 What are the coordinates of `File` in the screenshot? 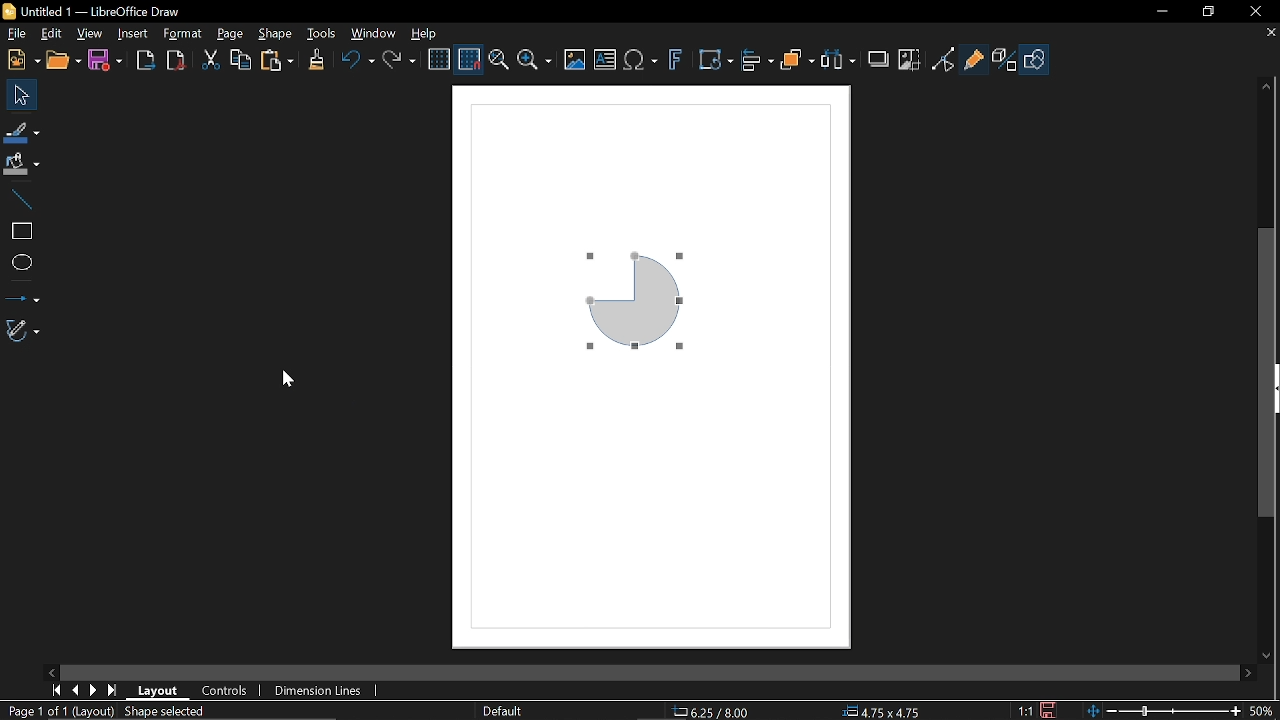 It's located at (14, 35).